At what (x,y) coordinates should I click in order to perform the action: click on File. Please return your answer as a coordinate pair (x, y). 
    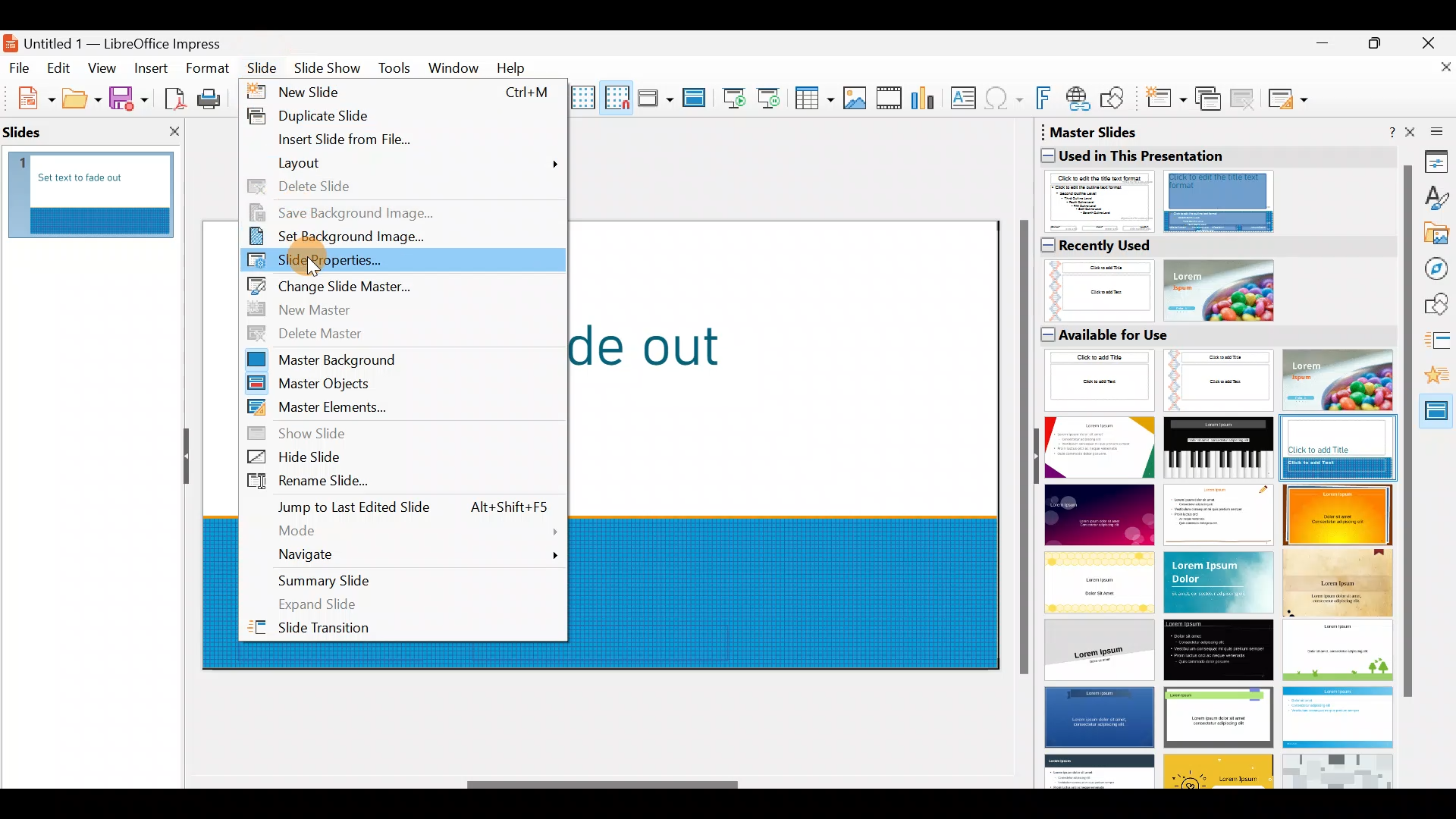
    Looking at the image, I should click on (20, 67).